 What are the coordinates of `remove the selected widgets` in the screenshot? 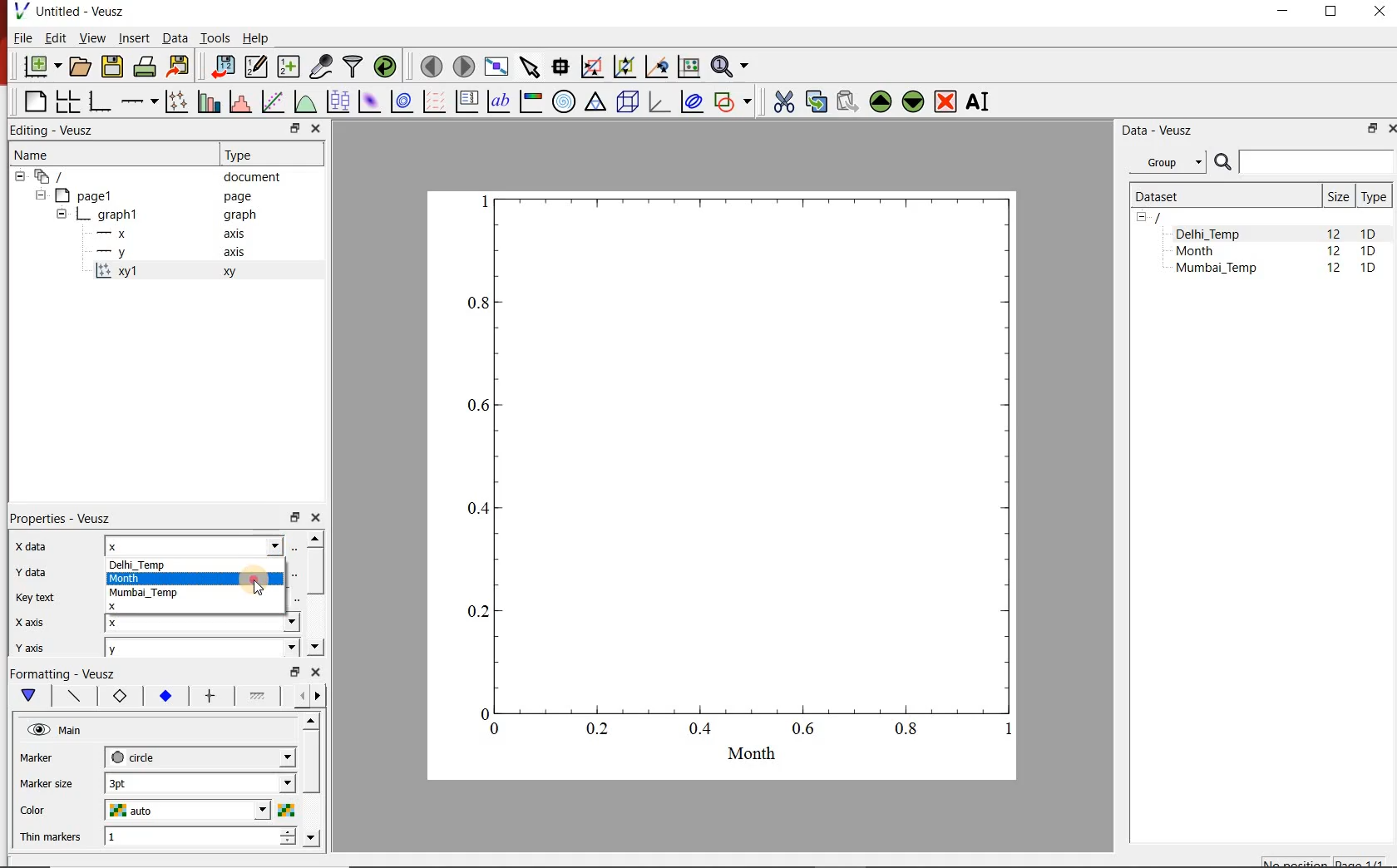 It's located at (946, 101).